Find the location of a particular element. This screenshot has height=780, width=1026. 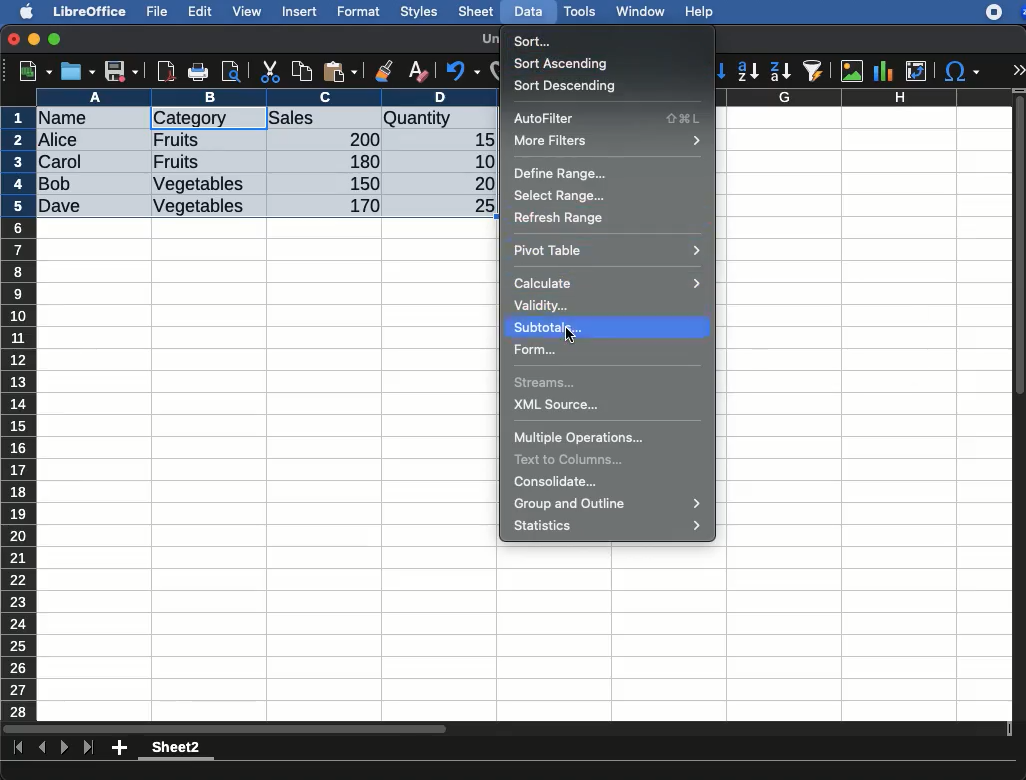

save is located at coordinates (122, 73).